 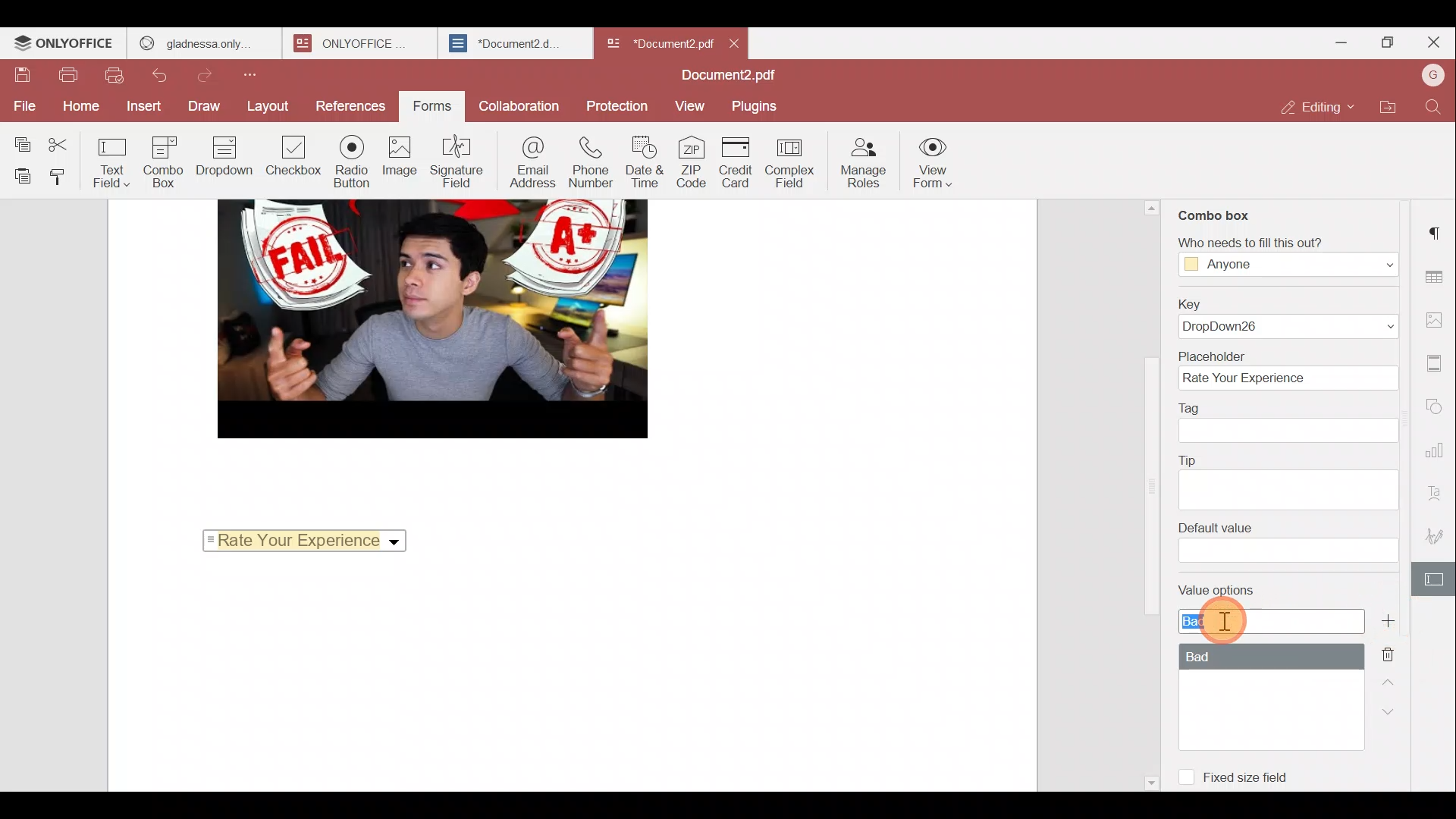 What do you see at coordinates (301, 539) in the screenshot?
I see `Rate your experience` at bounding box center [301, 539].